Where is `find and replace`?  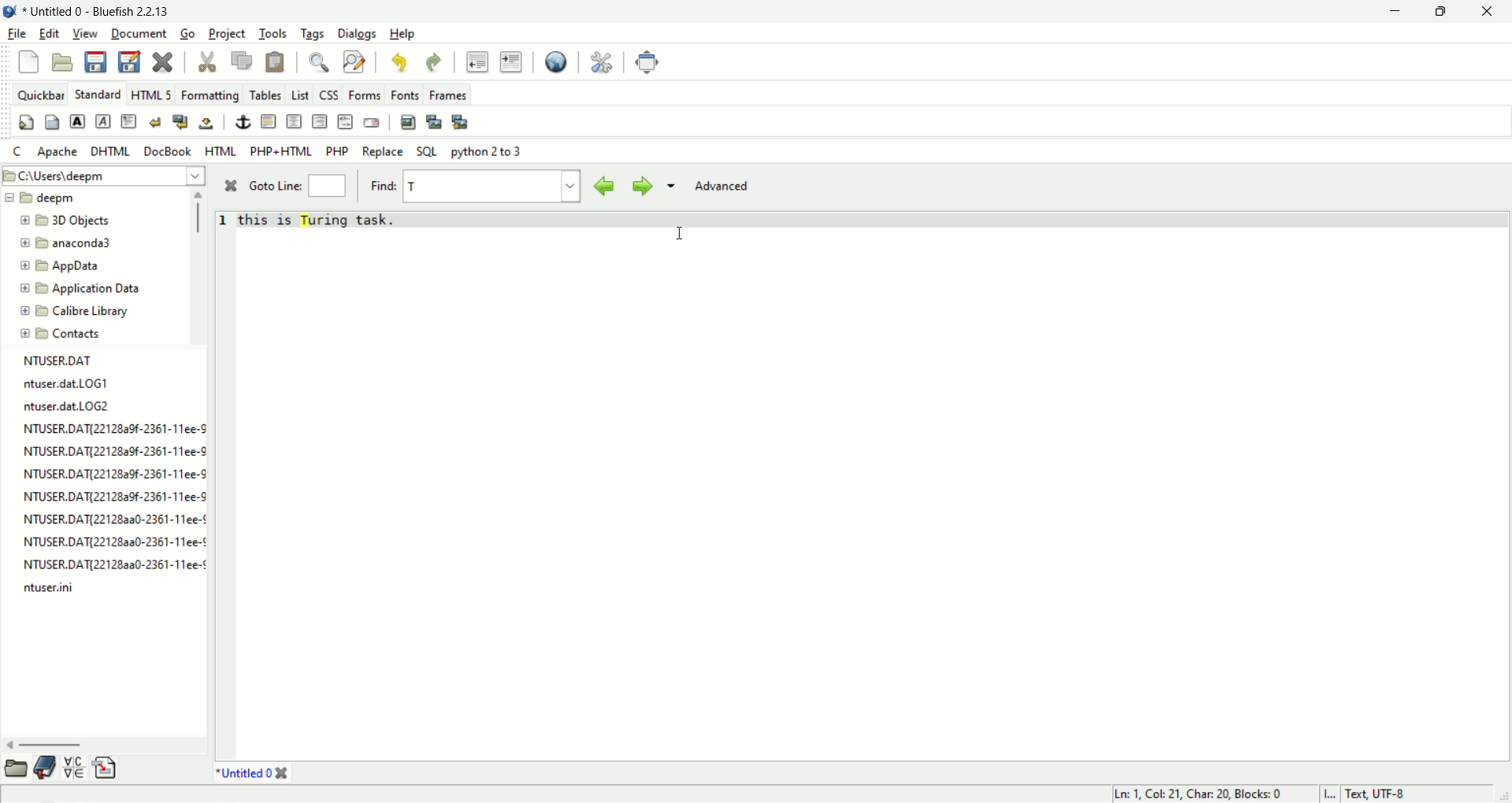
find and replace is located at coordinates (354, 62).